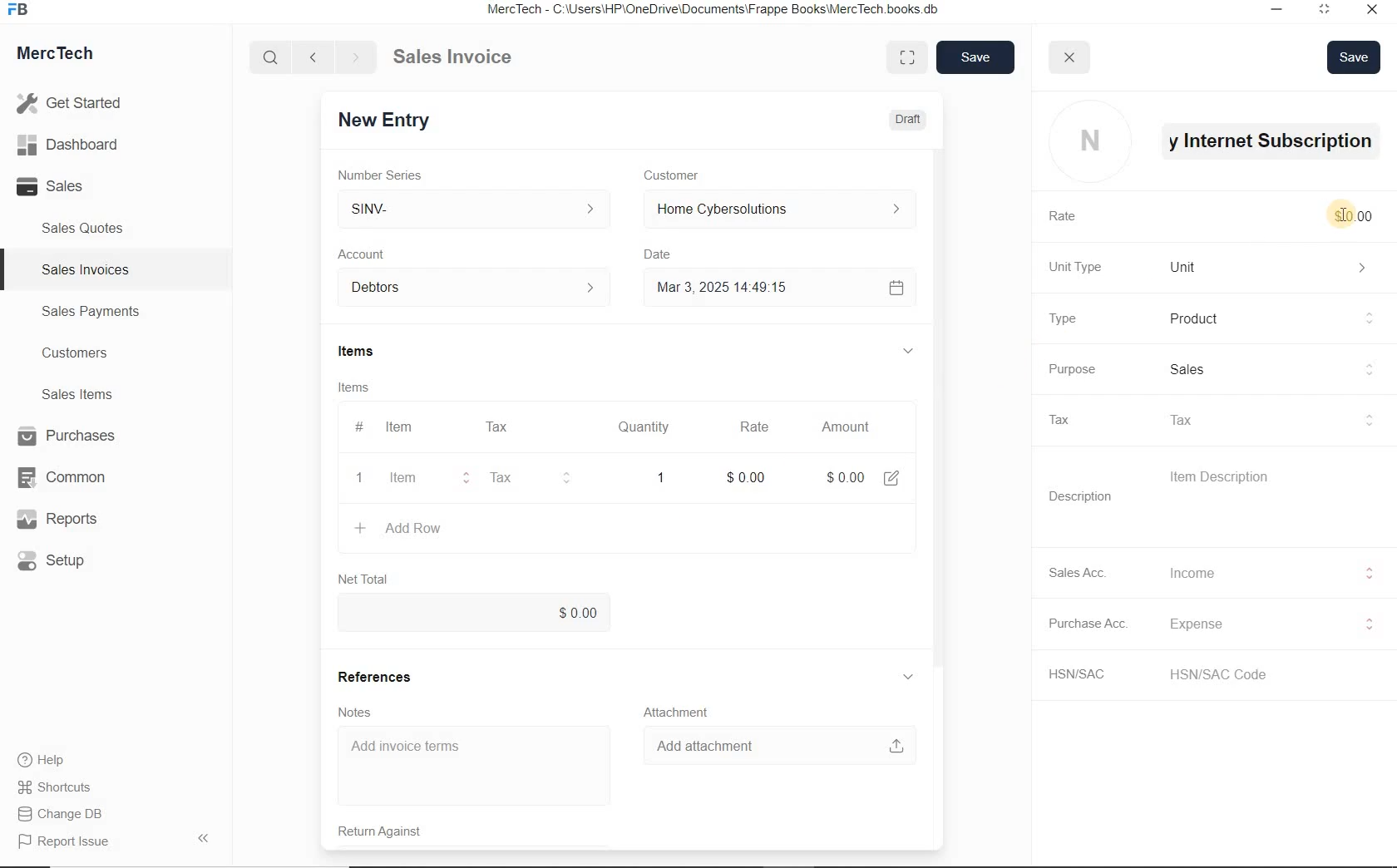 This screenshot has width=1397, height=868. What do you see at coordinates (1081, 572) in the screenshot?
I see `Sales Acc.` at bounding box center [1081, 572].